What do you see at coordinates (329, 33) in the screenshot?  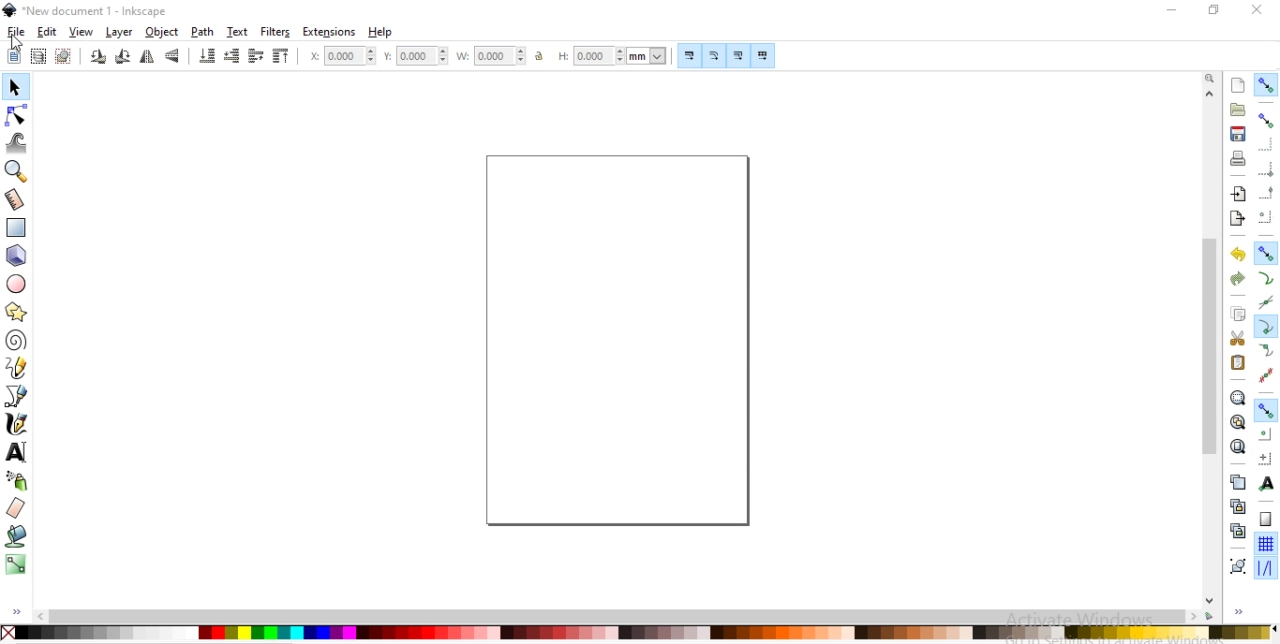 I see `extensions` at bounding box center [329, 33].